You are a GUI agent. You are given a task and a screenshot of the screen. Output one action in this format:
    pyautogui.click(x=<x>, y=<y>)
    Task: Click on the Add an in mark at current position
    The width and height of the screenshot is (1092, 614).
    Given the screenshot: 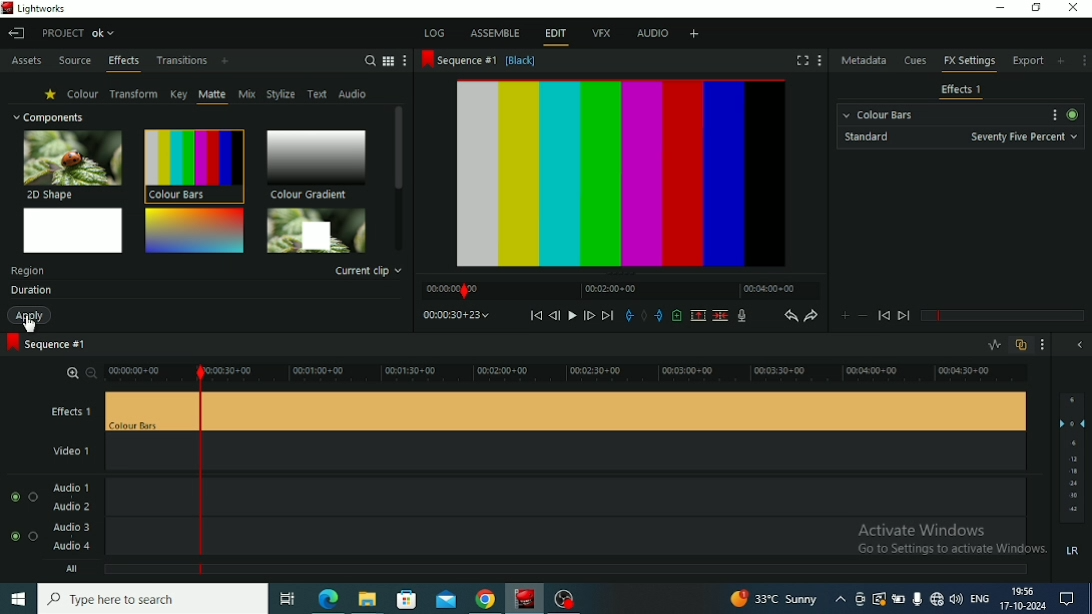 What is the action you would take?
    pyautogui.click(x=629, y=315)
    